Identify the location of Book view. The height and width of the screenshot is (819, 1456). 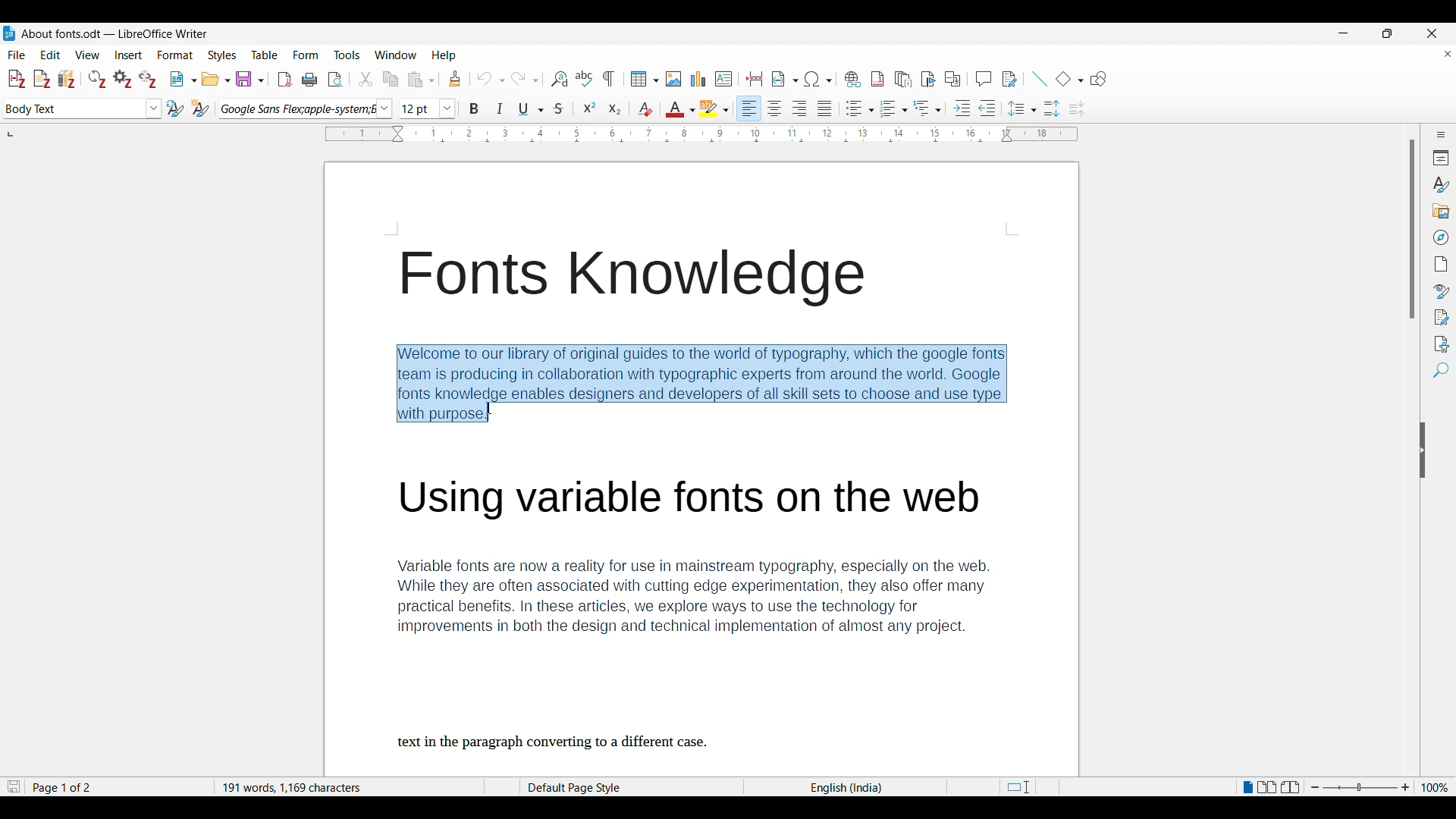
(1291, 787).